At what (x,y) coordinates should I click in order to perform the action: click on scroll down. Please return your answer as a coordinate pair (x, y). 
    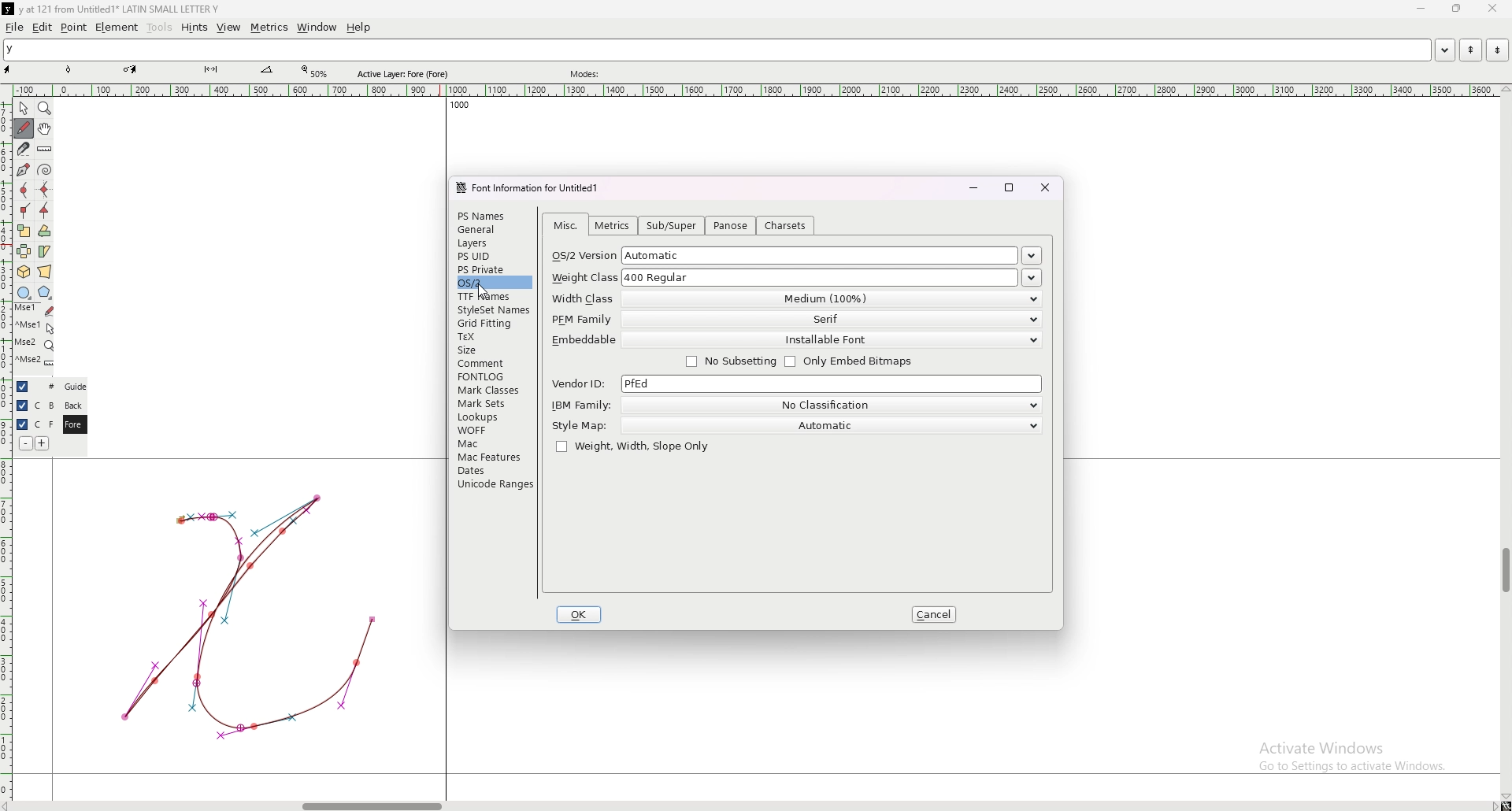
    Looking at the image, I should click on (1505, 797).